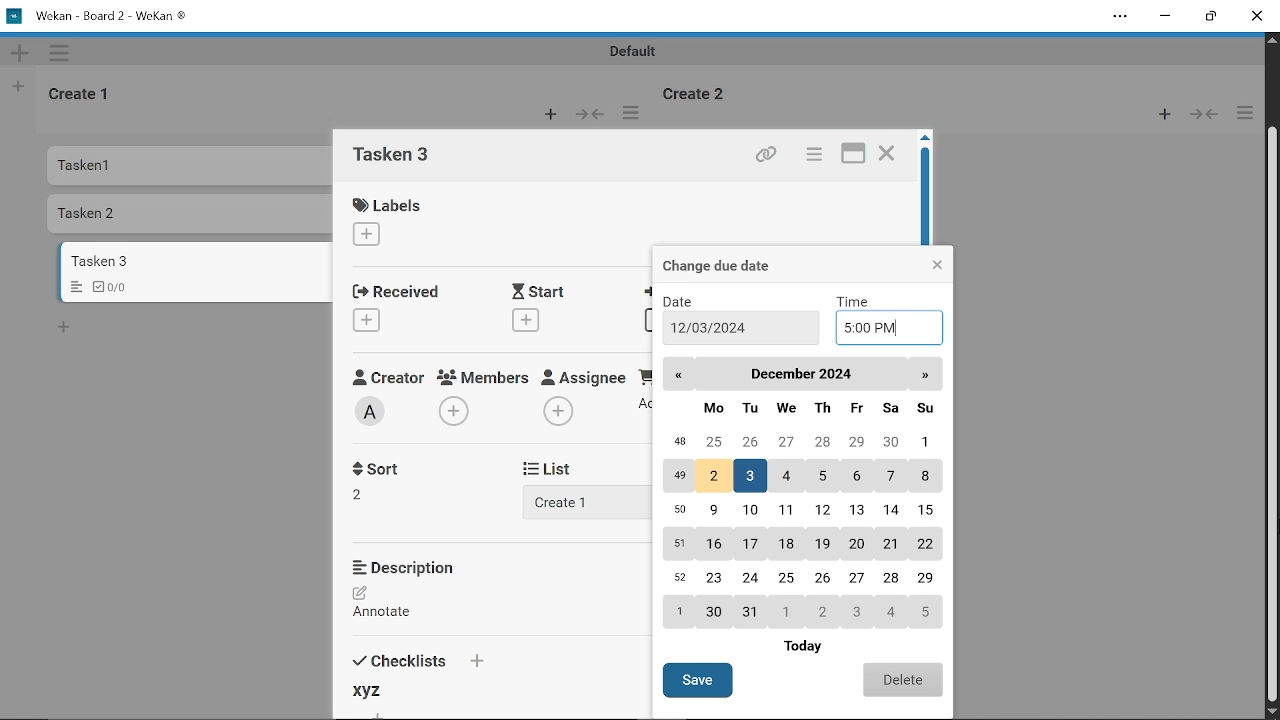  Describe the element at coordinates (572, 501) in the screenshot. I see `Add list` at that location.